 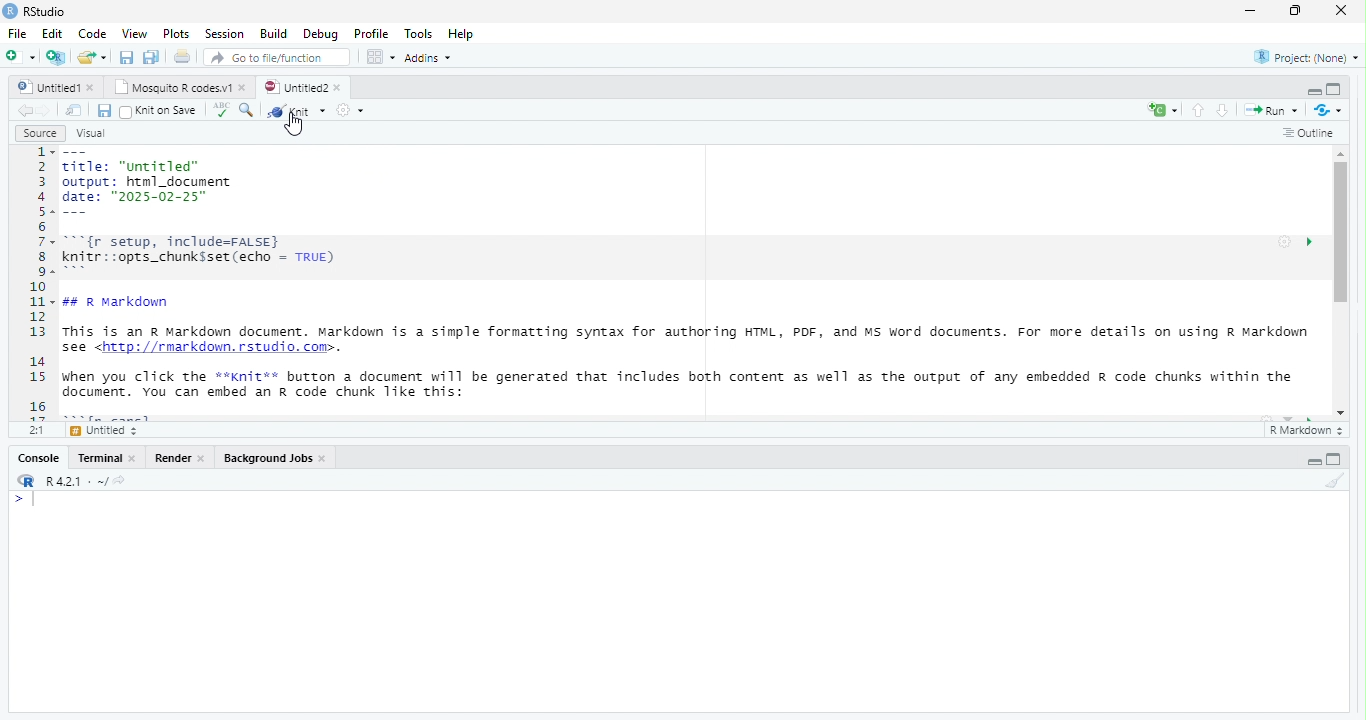 I want to click on correct spells, so click(x=221, y=109).